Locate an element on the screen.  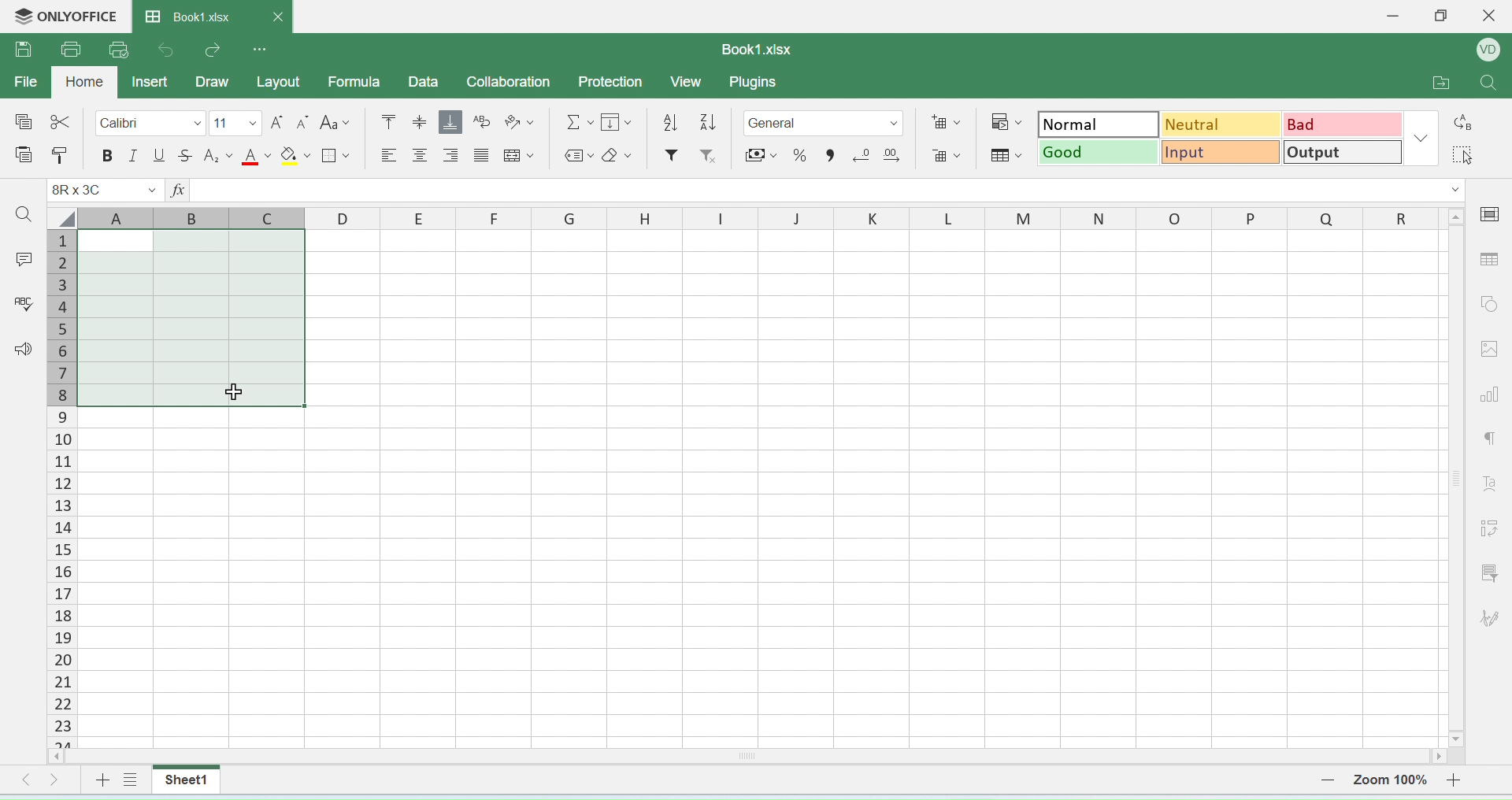
cell name is located at coordinates (107, 190).